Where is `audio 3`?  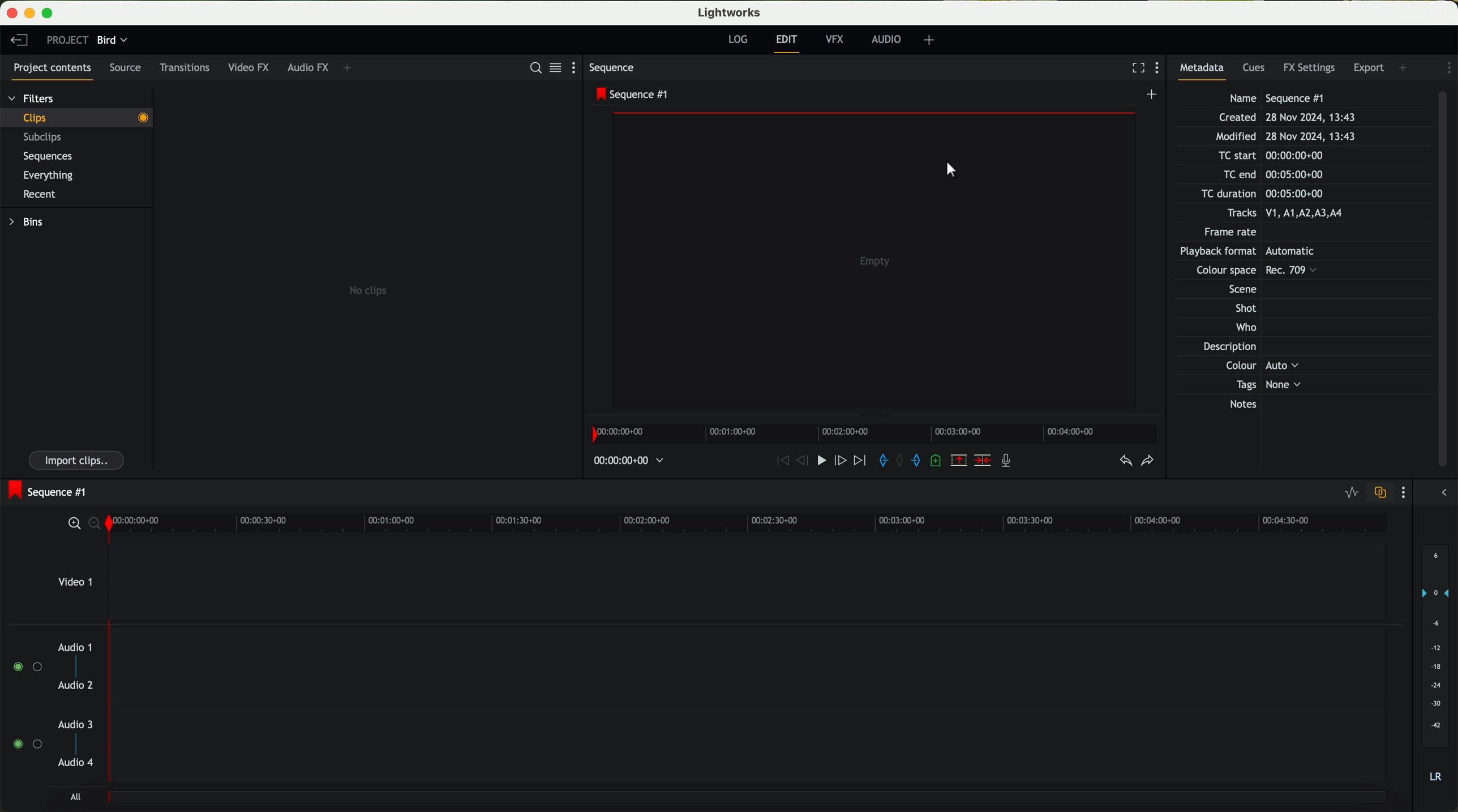 audio 3 is located at coordinates (78, 725).